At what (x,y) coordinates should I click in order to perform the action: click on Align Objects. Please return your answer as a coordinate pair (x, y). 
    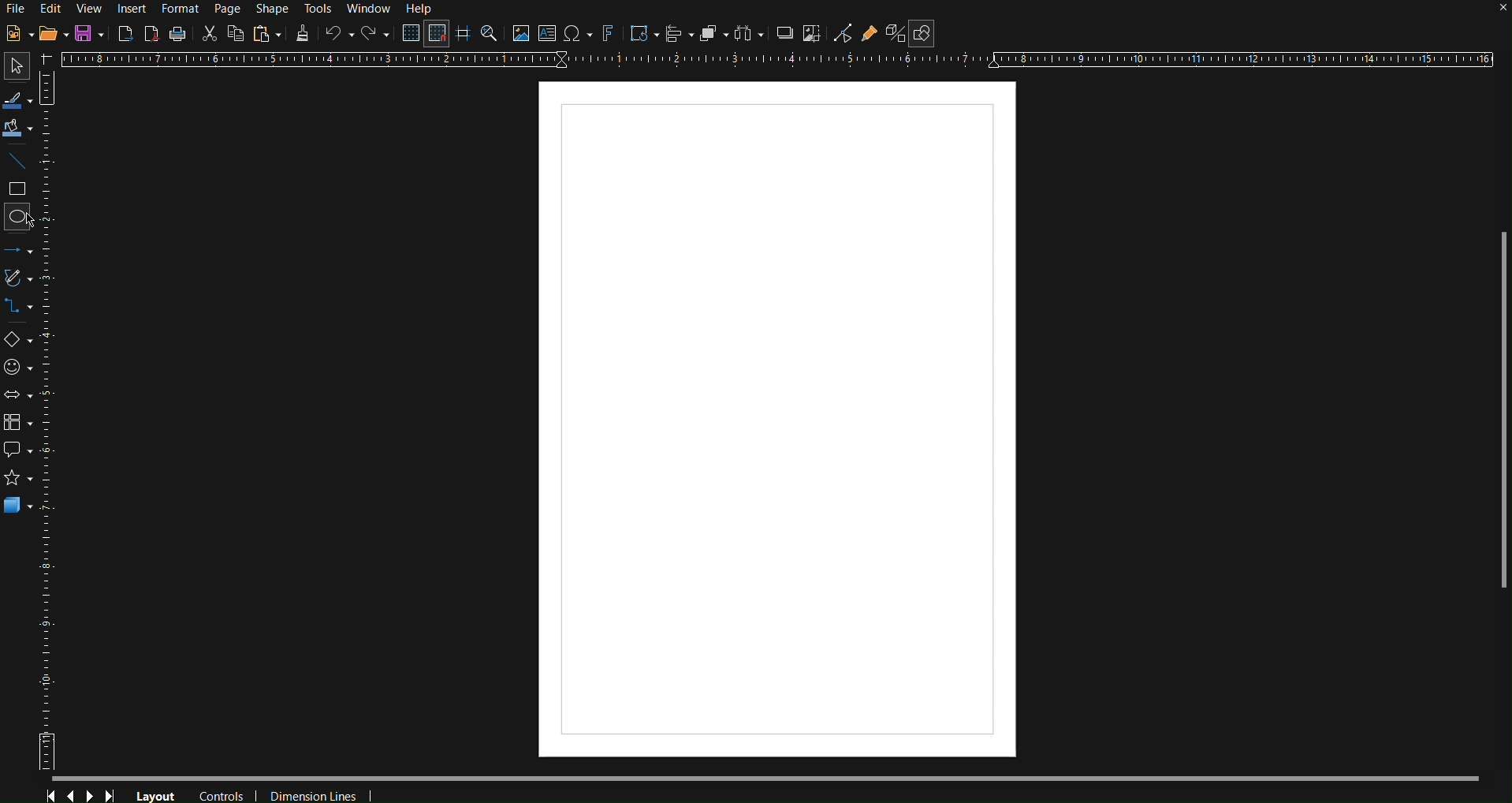
    Looking at the image, I should click on (679, 35).